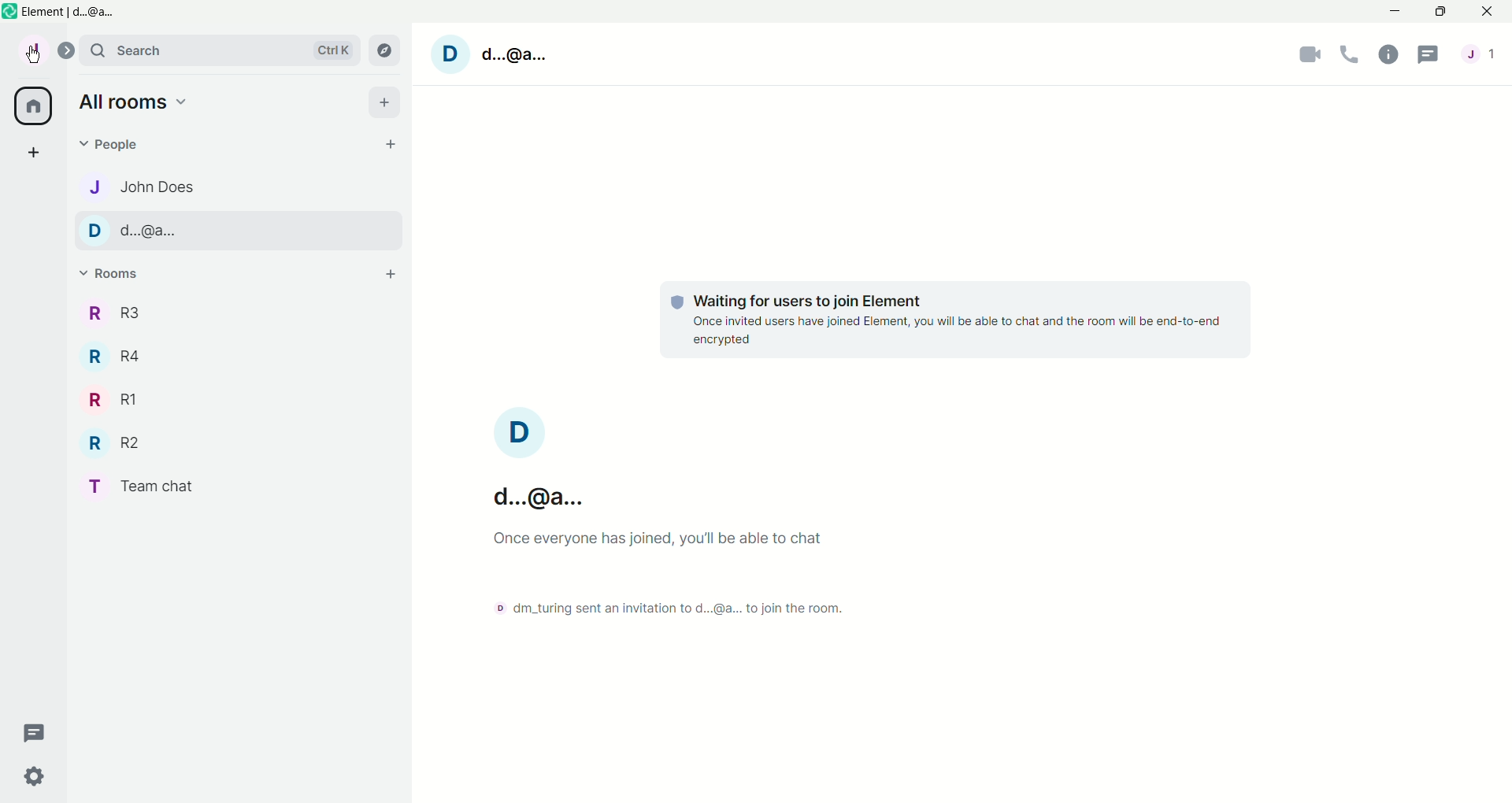 The image size is (1512, 803). What do you see at coordinates (678, 302) in the screenshot?
I see `Protection shield logo` at bounding box center [678, 302].